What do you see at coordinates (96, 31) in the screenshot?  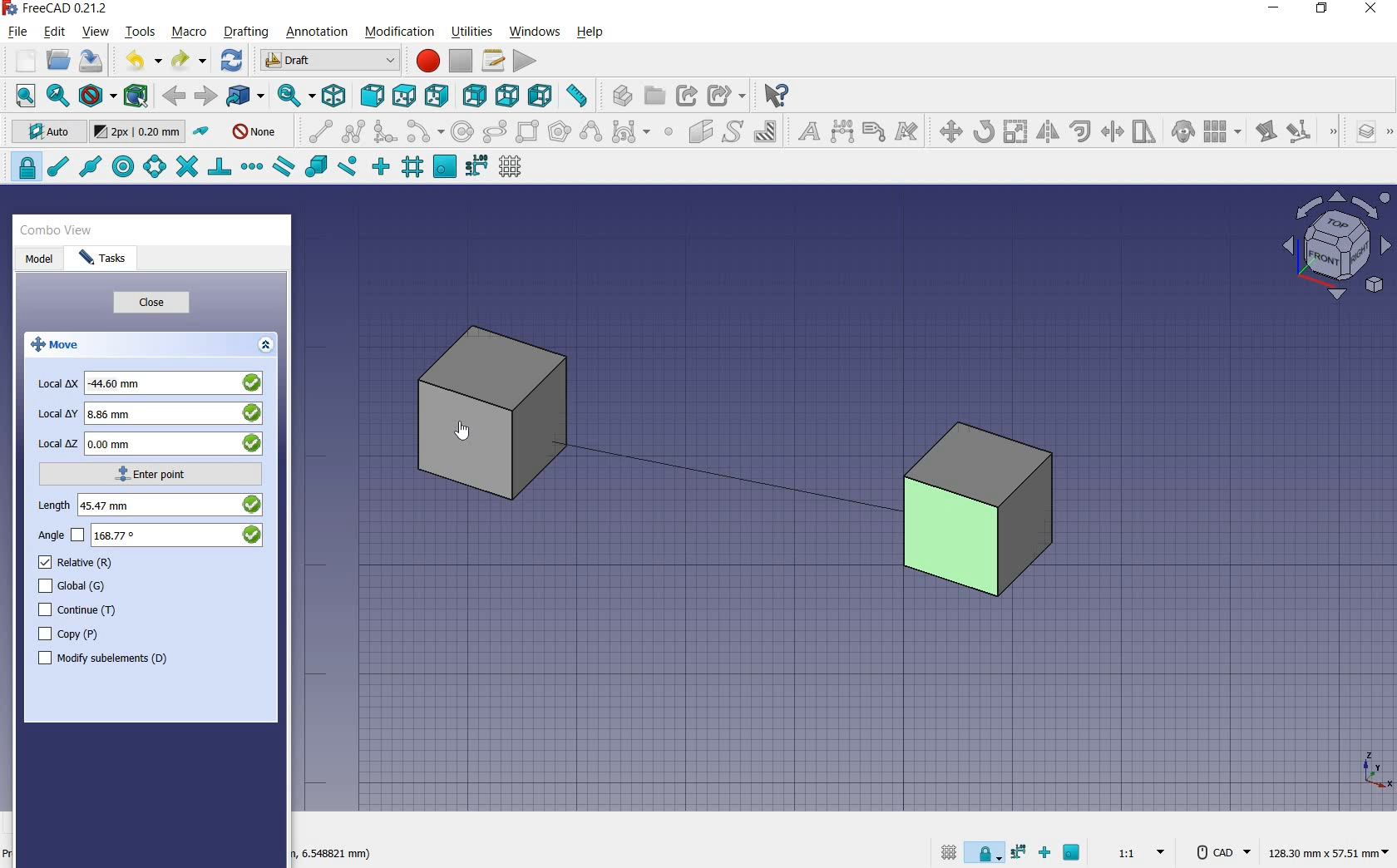 I see `view` at bounding box center [96, 31].